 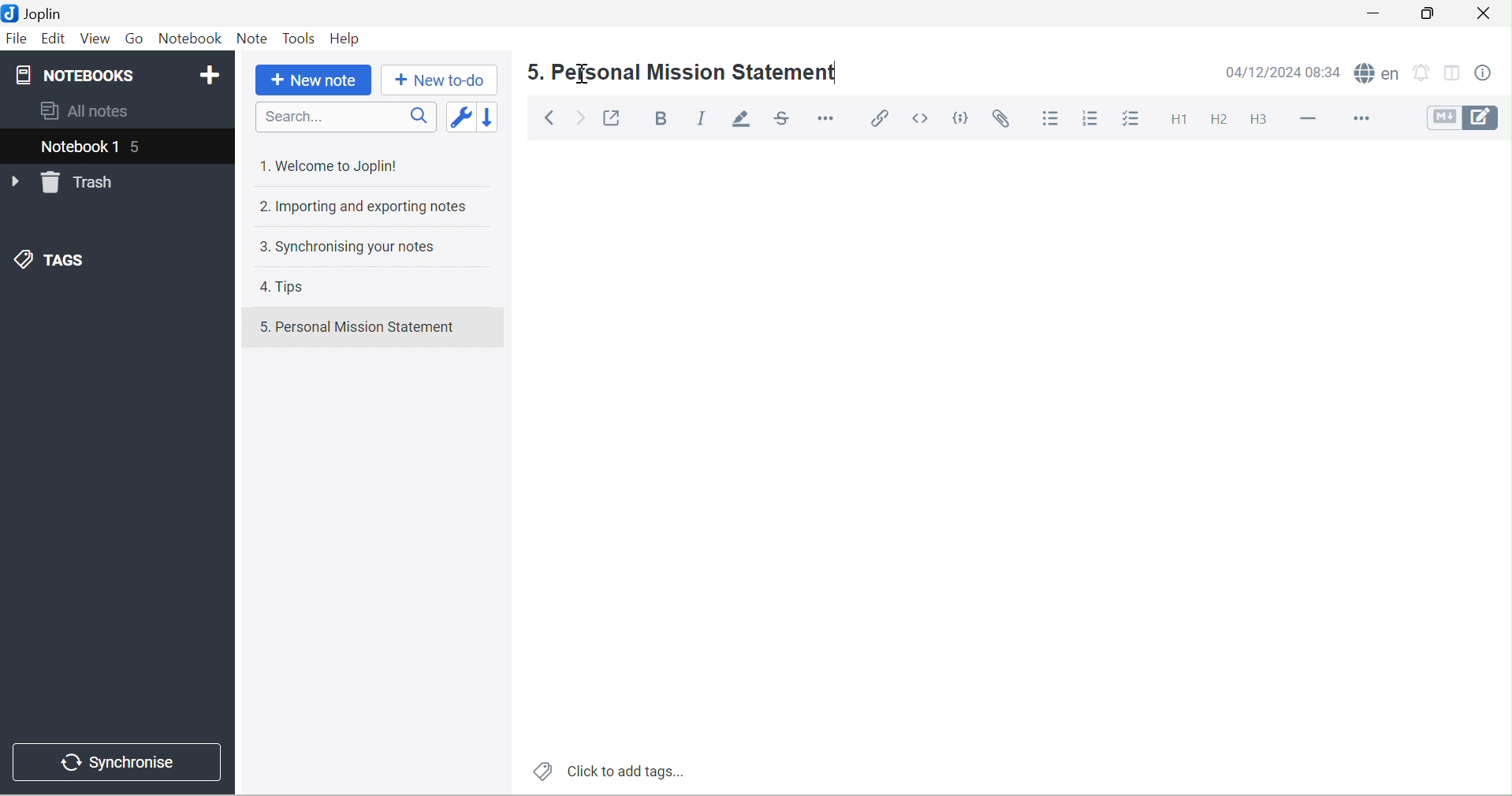 What do you see at coordinates (35, 13) in the screenshot?
I see `Joplin` at bounding box center [35, 13].